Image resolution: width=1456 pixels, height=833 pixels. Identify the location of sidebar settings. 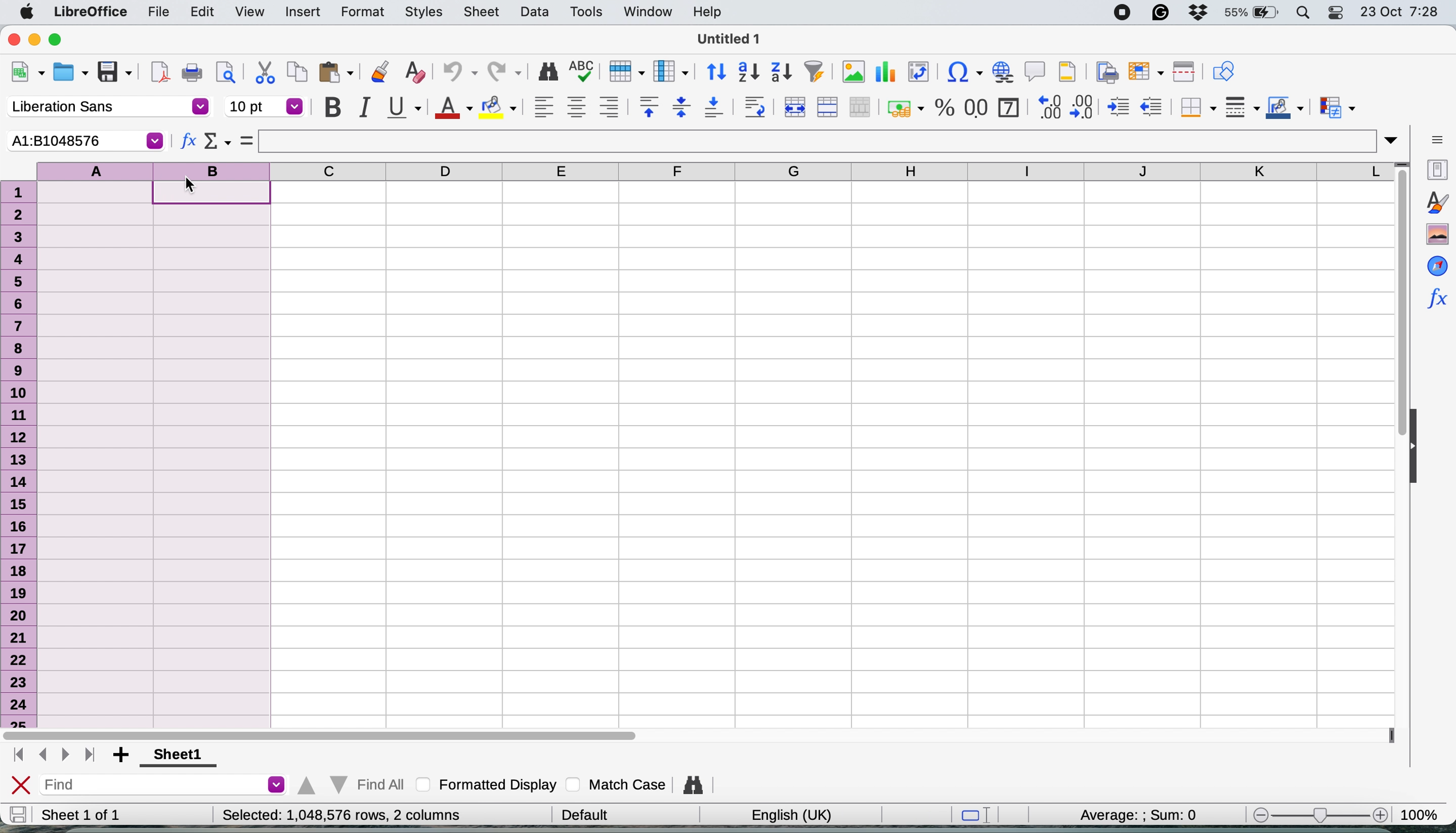
(1437, 138).